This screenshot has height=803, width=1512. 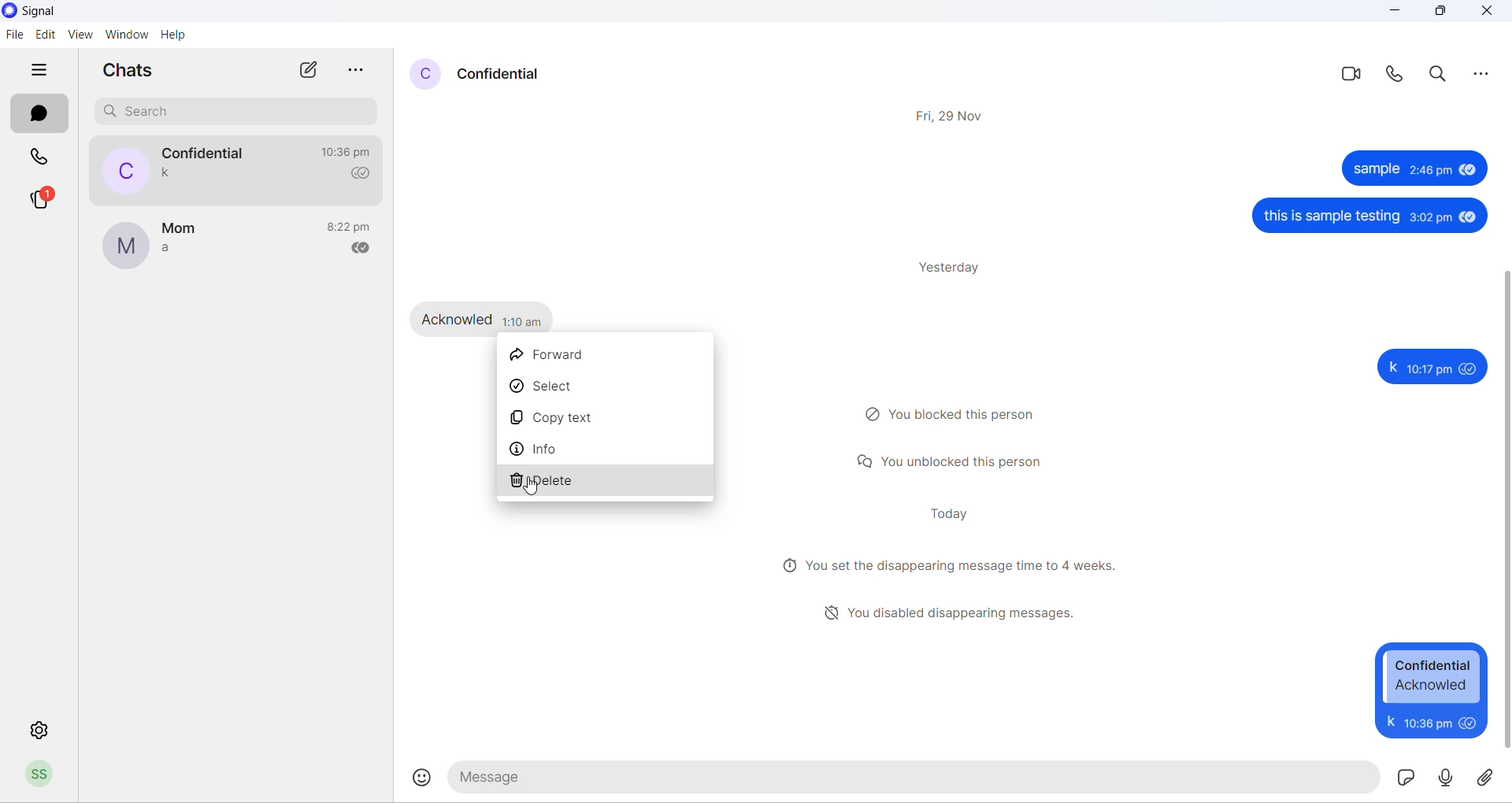 What do you see at coordinates (362, 174) in the screenshot?
I see `read recipient` at bounding box center [362, 174].